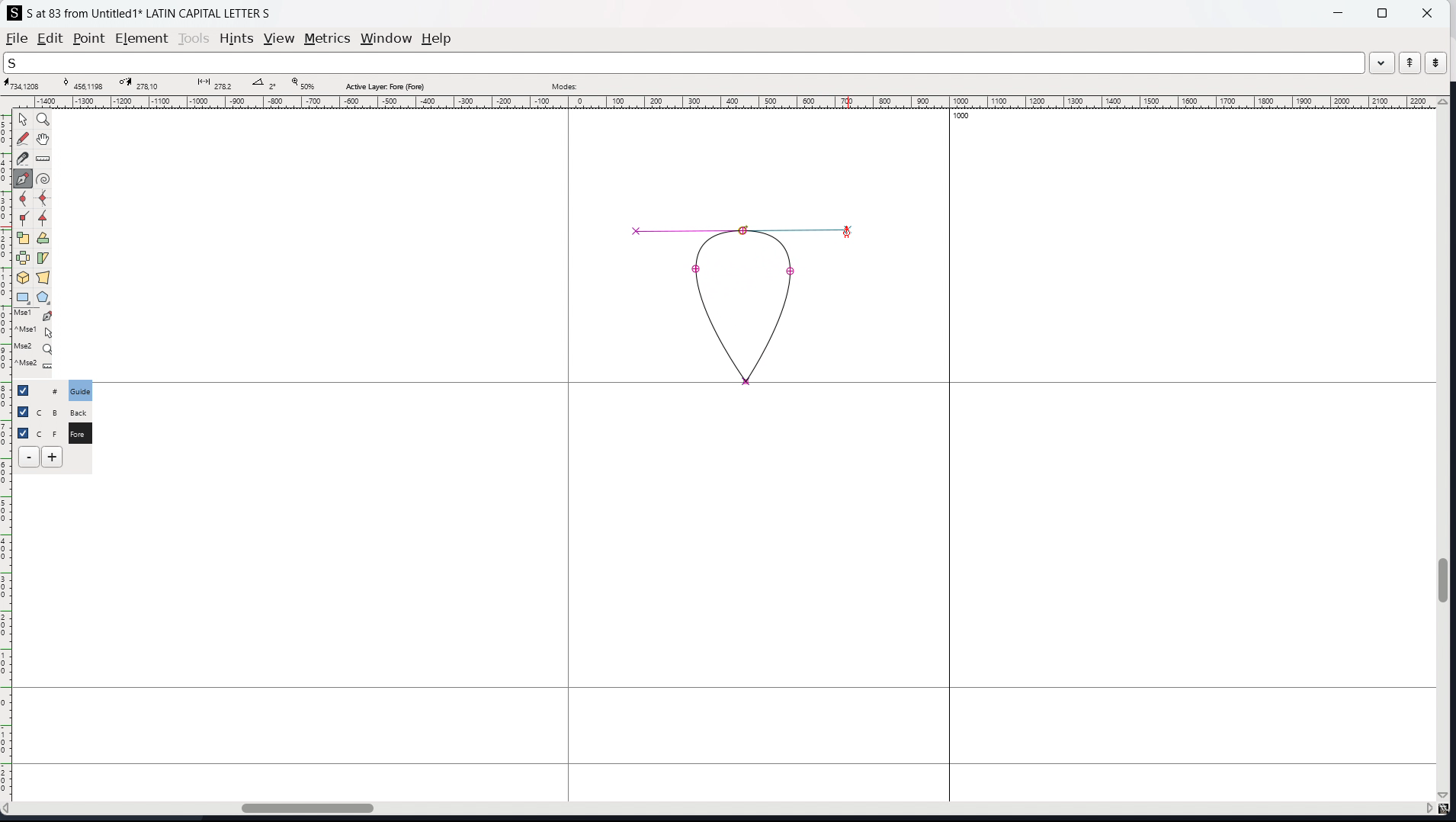 Image resolution: width=1456 pixels, height=822 pixels. What do you see at coordinates (1426, 12) in the screenshot?
I see `close` at bounding box center [1426, 12].